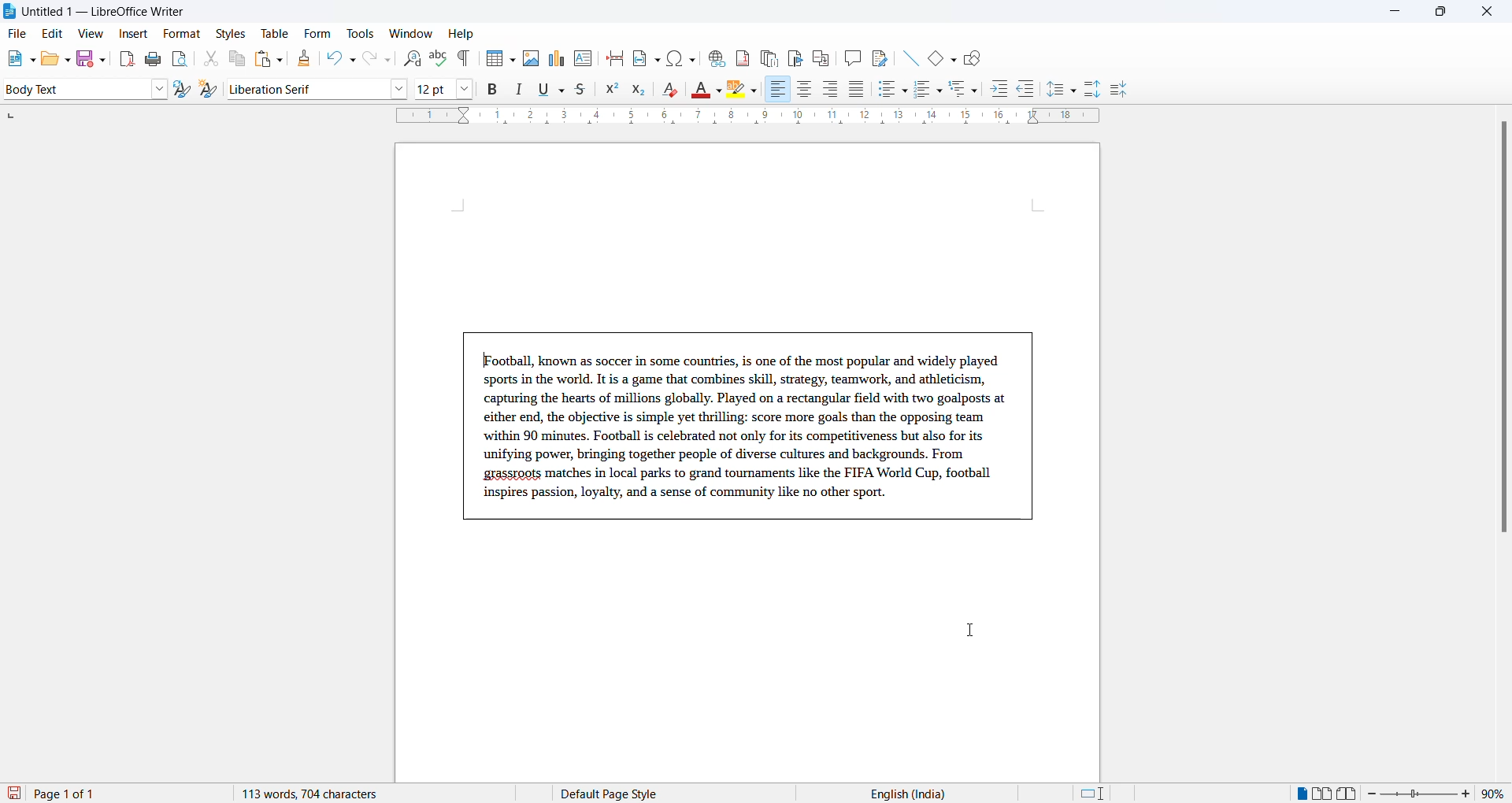 The height and width of the screenshot is (803, 1512). I want to click on standard selection, so click(1094, 794).